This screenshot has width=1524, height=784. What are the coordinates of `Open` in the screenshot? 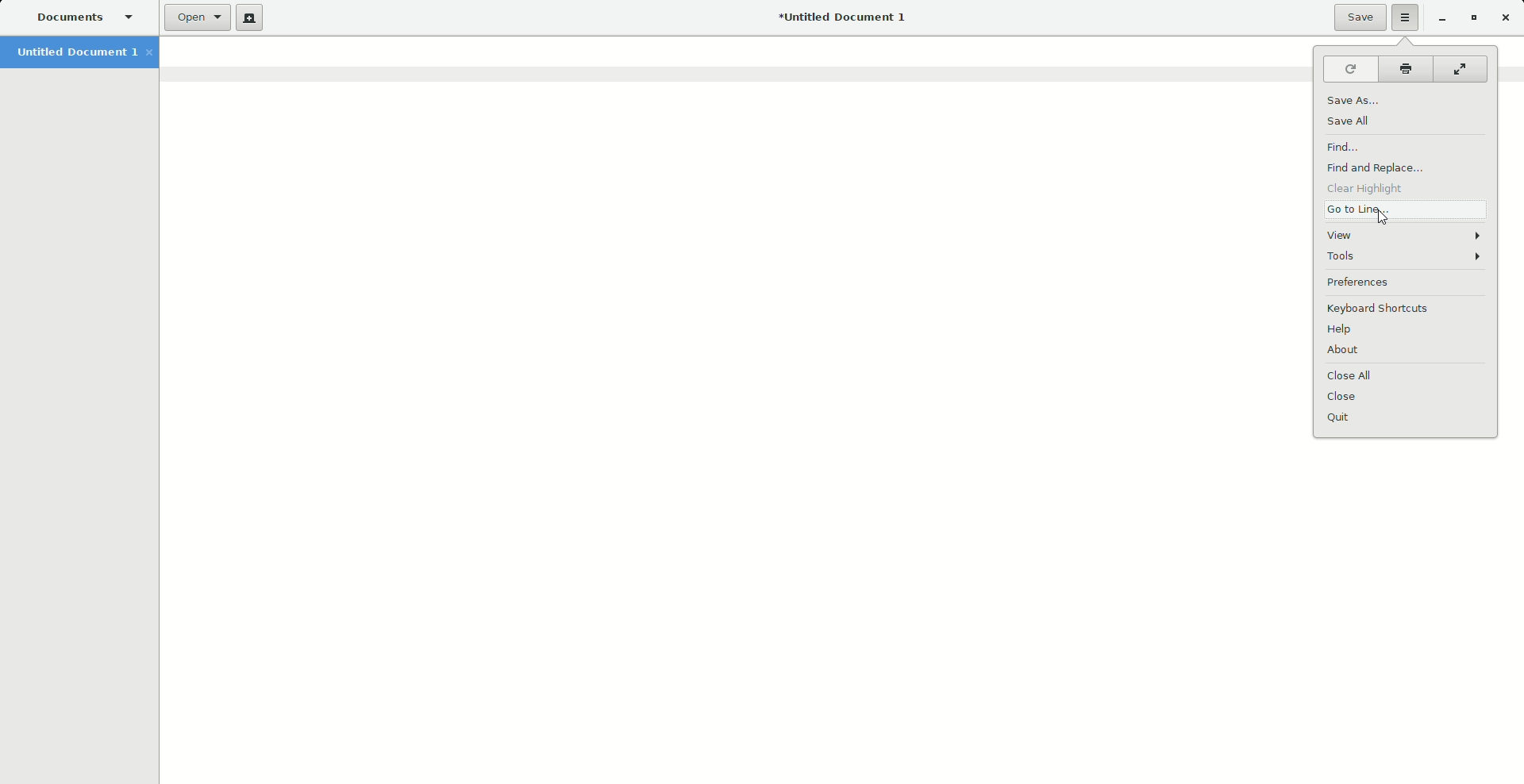 It's located at (199, 17).